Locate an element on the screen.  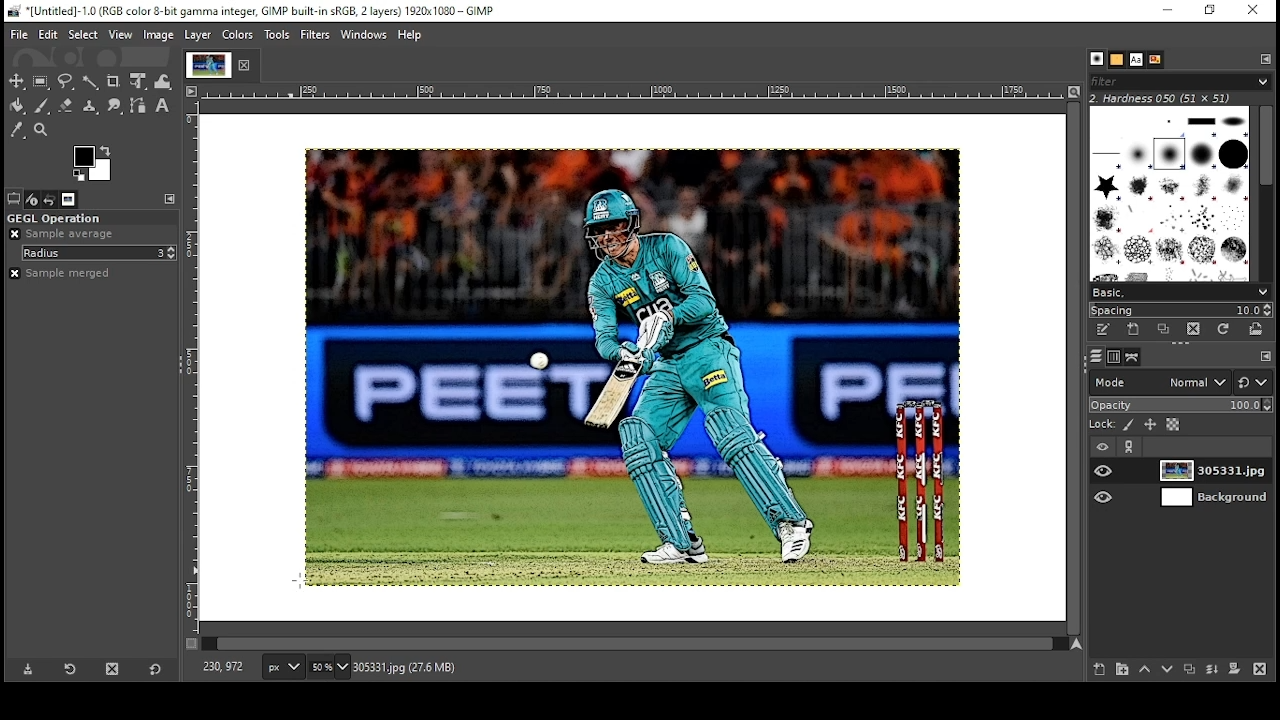
zoom tool is located at coordinates (42, 130).